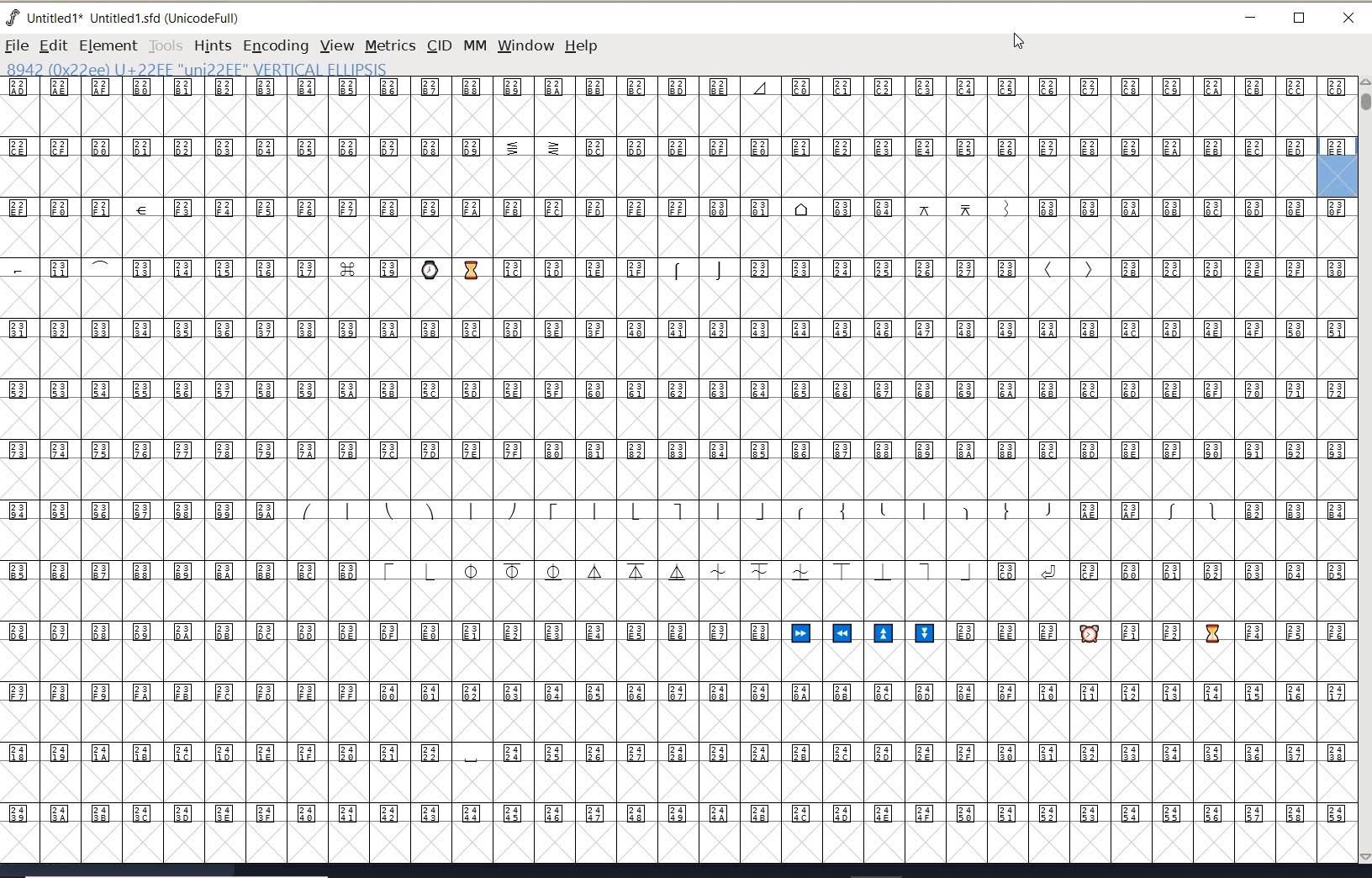 This screenshot has height=878, width=1372. What do you see at coordinates (16, 45) in the screenshot?
I see `FILE` at bounding box center [16, 45].